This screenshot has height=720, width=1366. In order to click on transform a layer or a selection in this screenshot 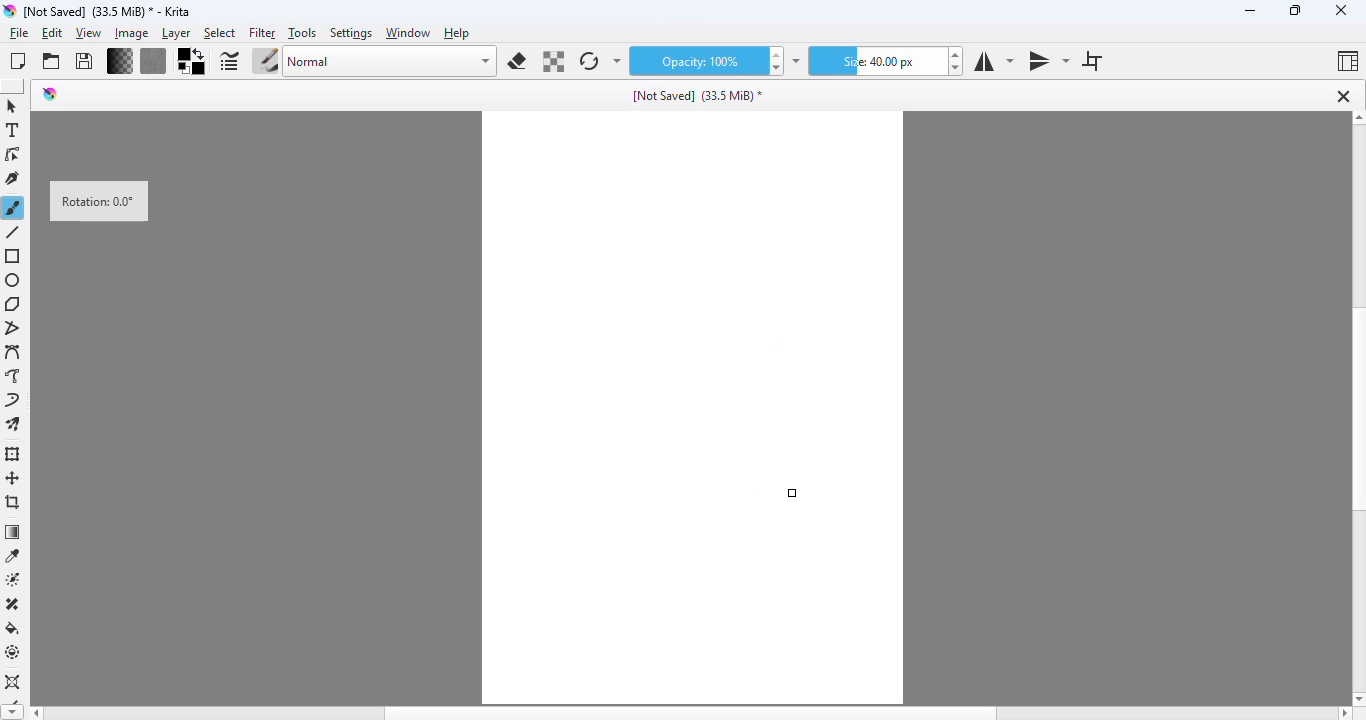, I will do `click(13, 453)`.